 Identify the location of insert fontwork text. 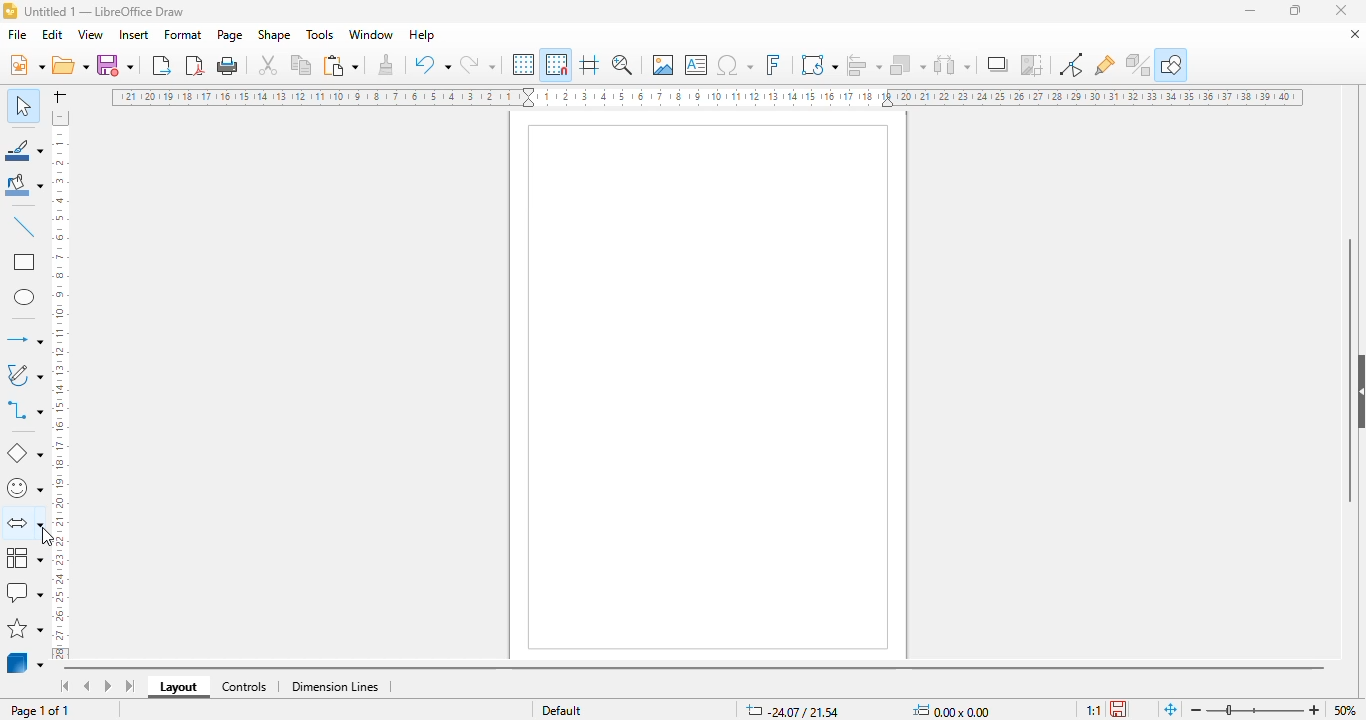
(773, 64).